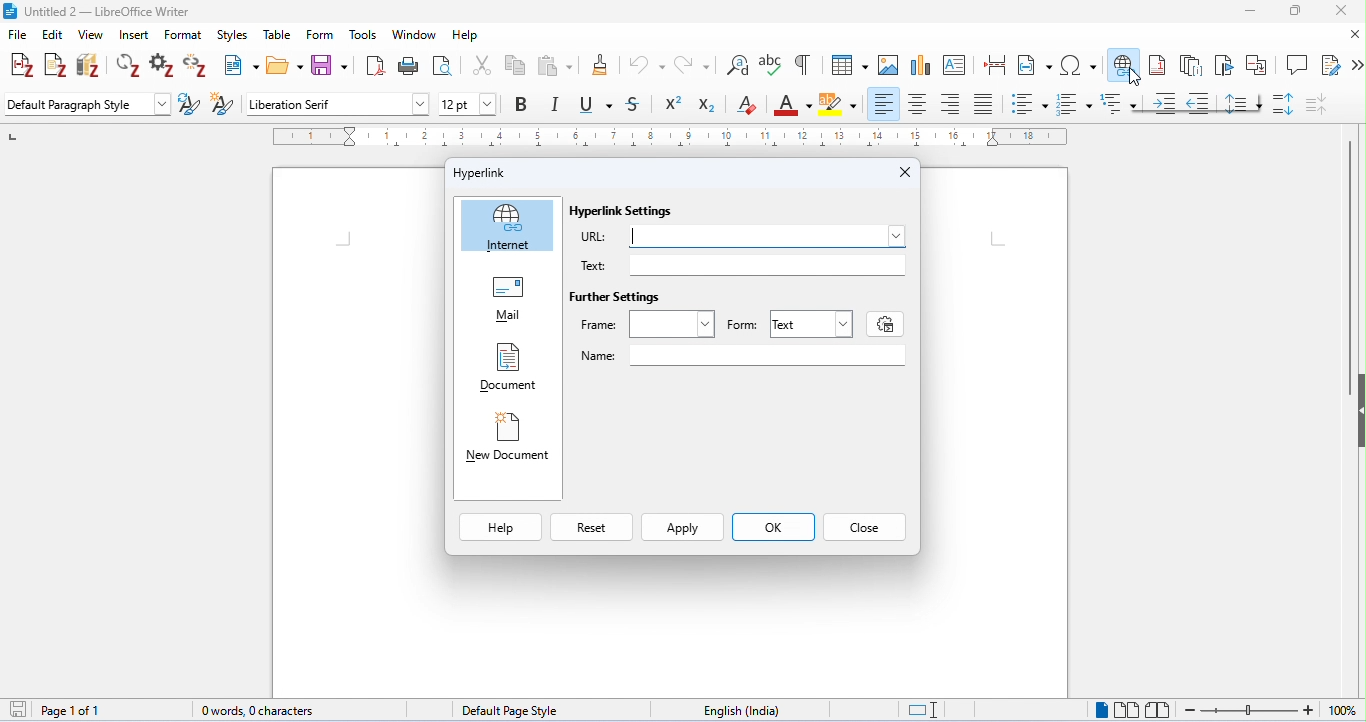  Describe the element at coordinates (921, 64) in the screenshot. I see `insert chart` at that location.